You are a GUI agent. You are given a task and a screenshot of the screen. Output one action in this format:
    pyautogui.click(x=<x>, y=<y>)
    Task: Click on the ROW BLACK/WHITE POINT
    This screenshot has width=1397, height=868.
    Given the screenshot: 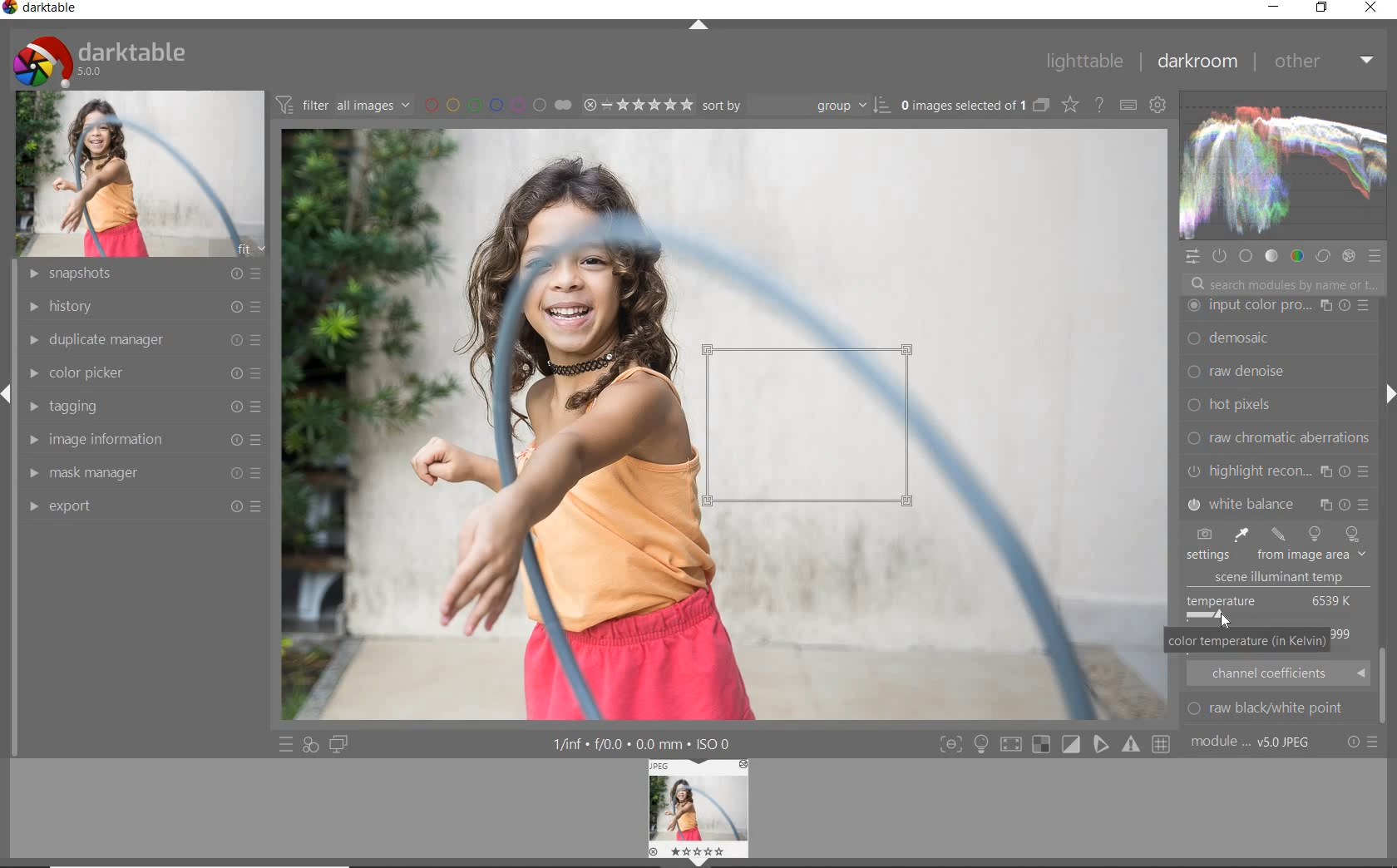 What is the action you would take?
    pyautogui.click(x=1276, y=708)
    